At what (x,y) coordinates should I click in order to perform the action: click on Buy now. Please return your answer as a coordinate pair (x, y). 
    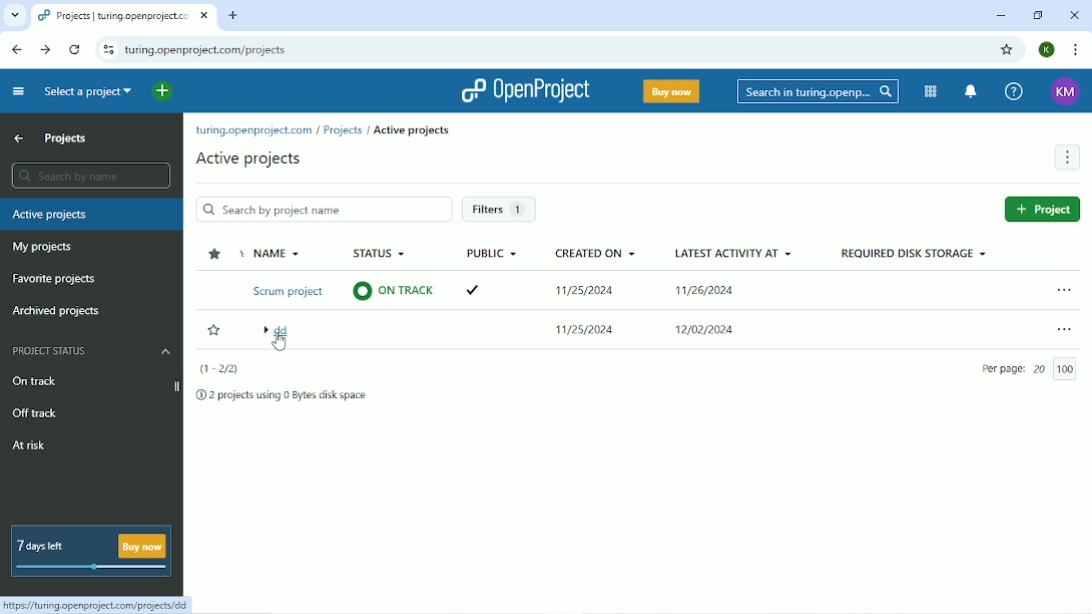
    Looking at the image, I should click on (671, 91).